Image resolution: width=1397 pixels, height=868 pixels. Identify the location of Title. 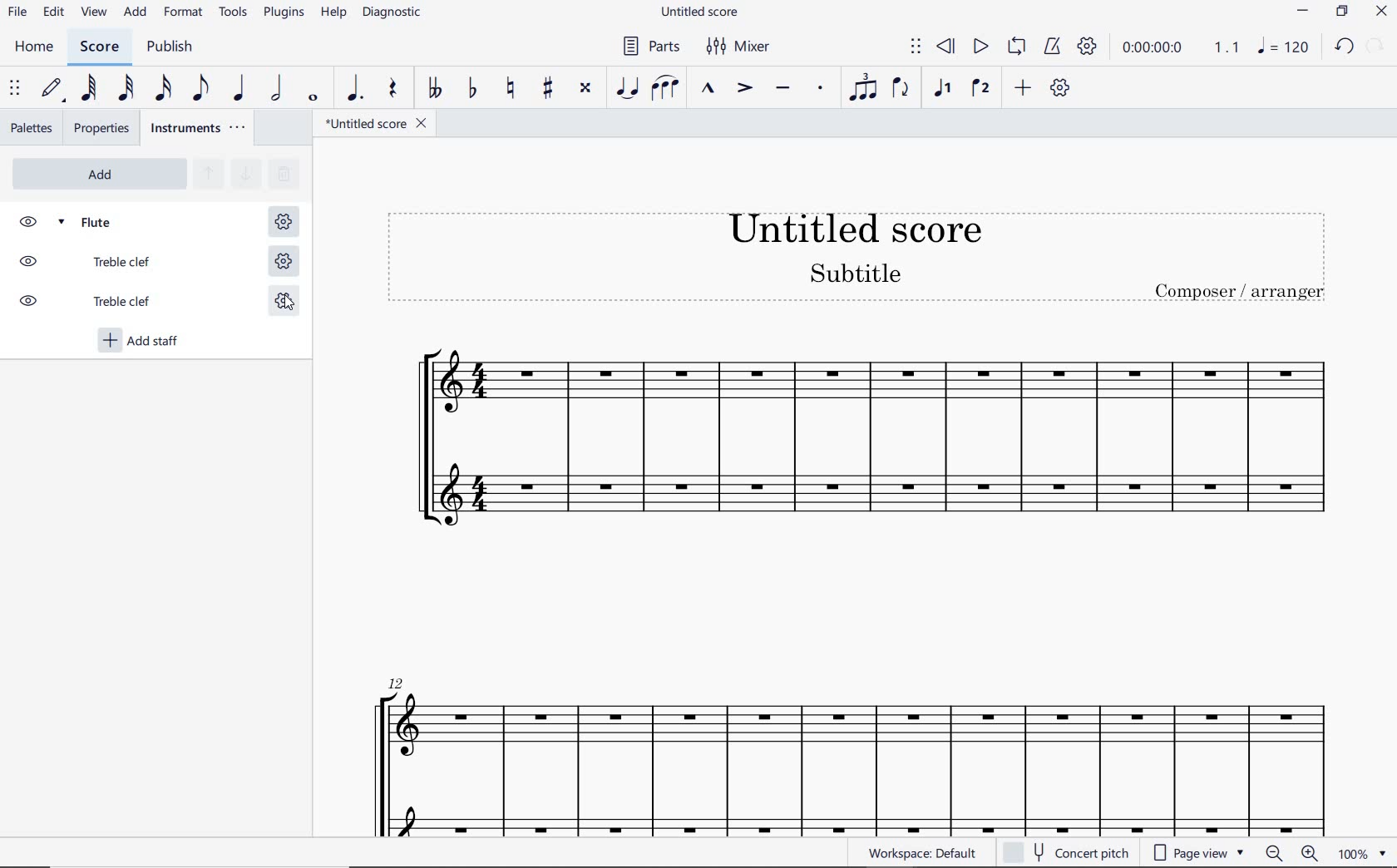
(858, 257).